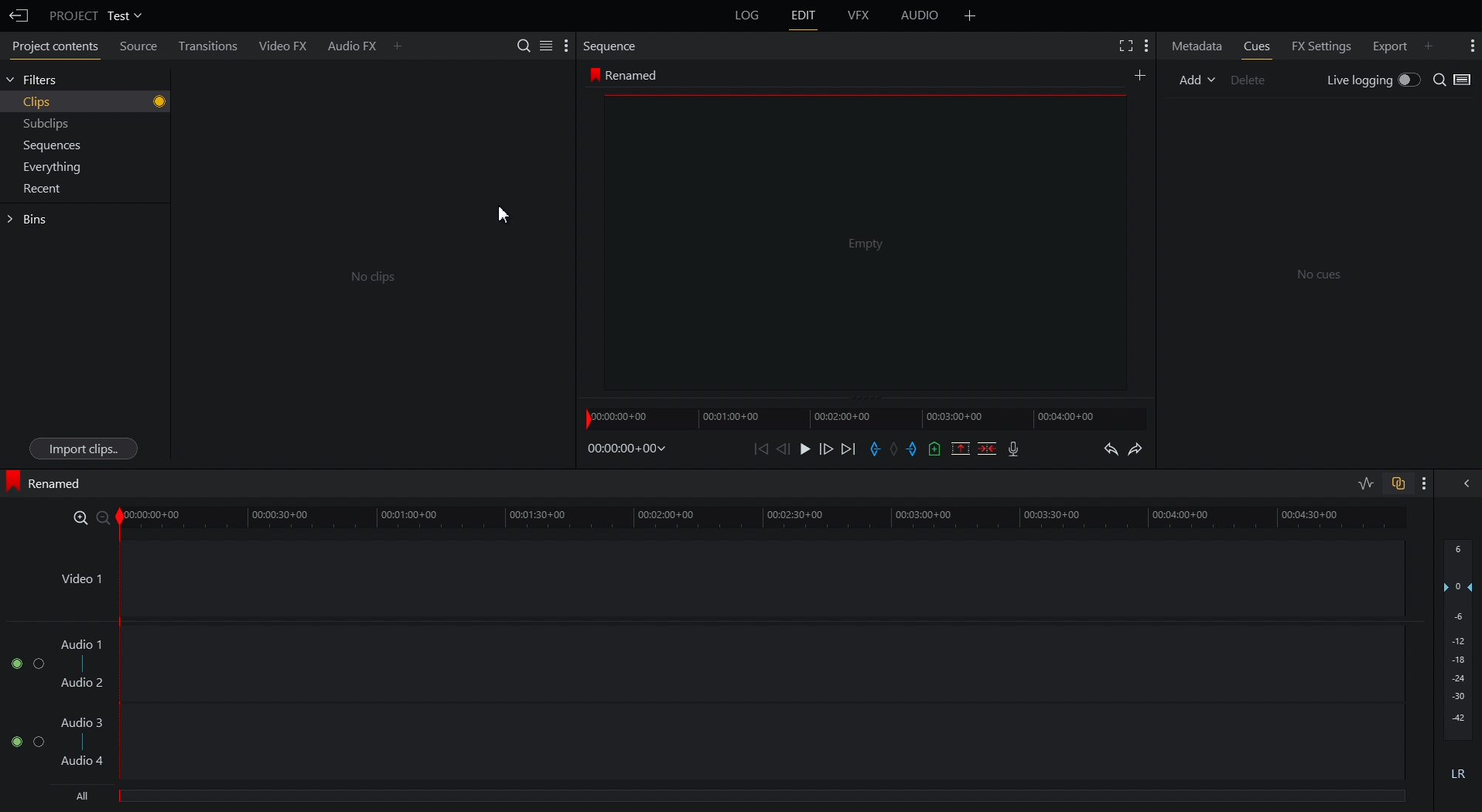  Describe the element at coordinates (862, 15) in the screenshot. I see `VFX` at that location.